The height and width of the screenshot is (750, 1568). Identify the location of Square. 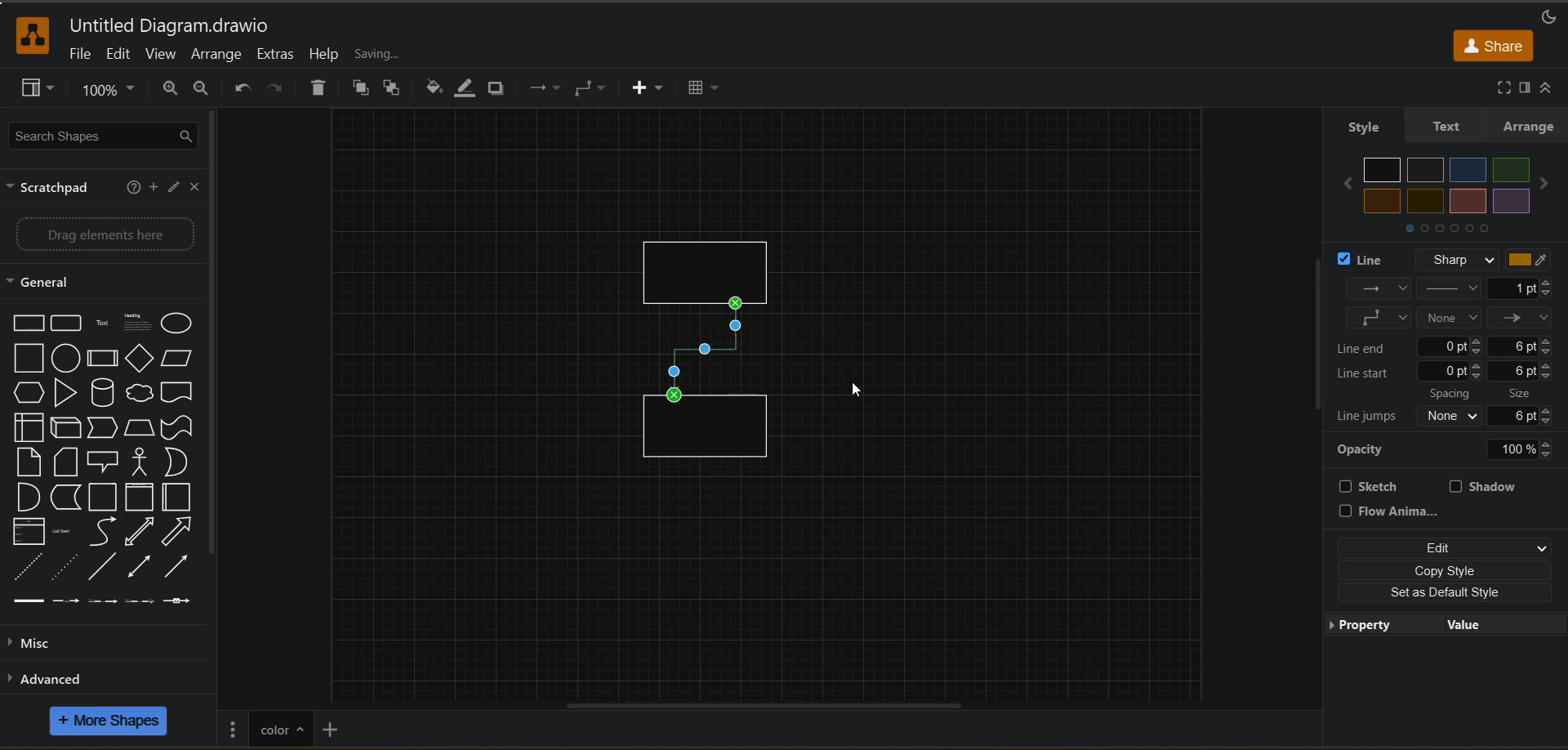
(28, 359).